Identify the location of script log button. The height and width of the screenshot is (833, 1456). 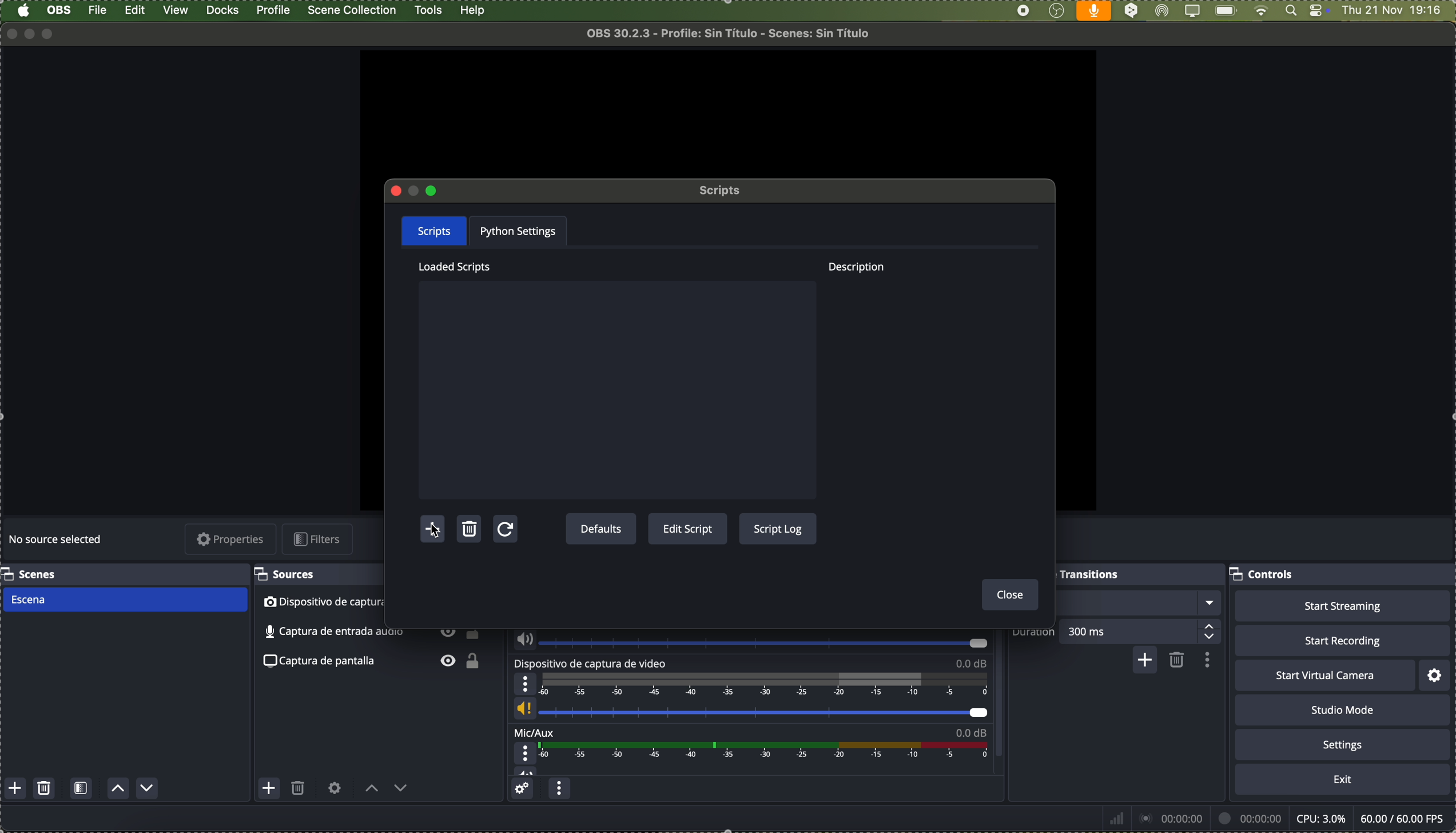
(777, 528).